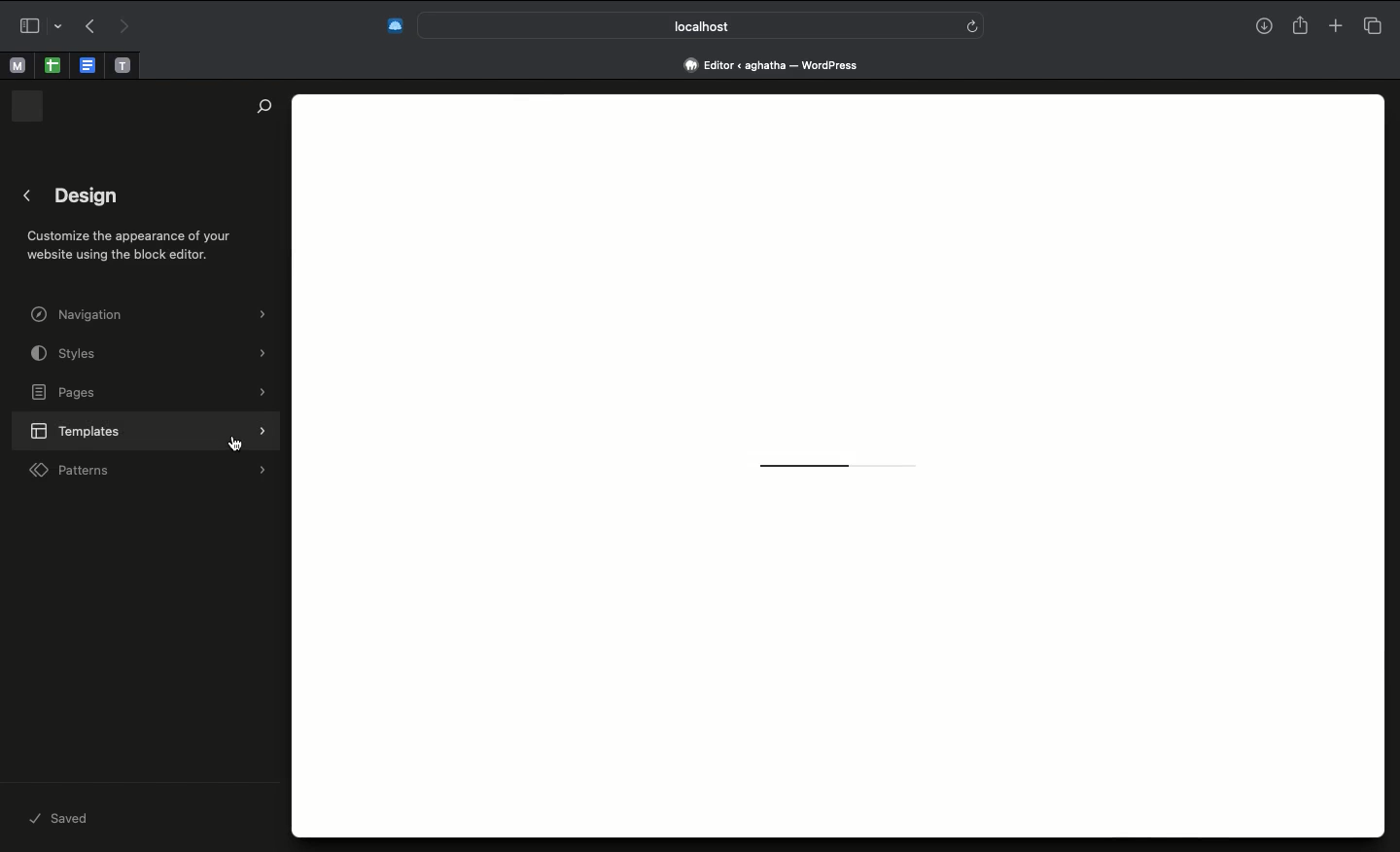 Image resolution: width=1400 pixels, height=852 pixels. What do you see at coordinates (1299, 23) in the screenshot?
I see `Share` at bounding box center [1299, 23].